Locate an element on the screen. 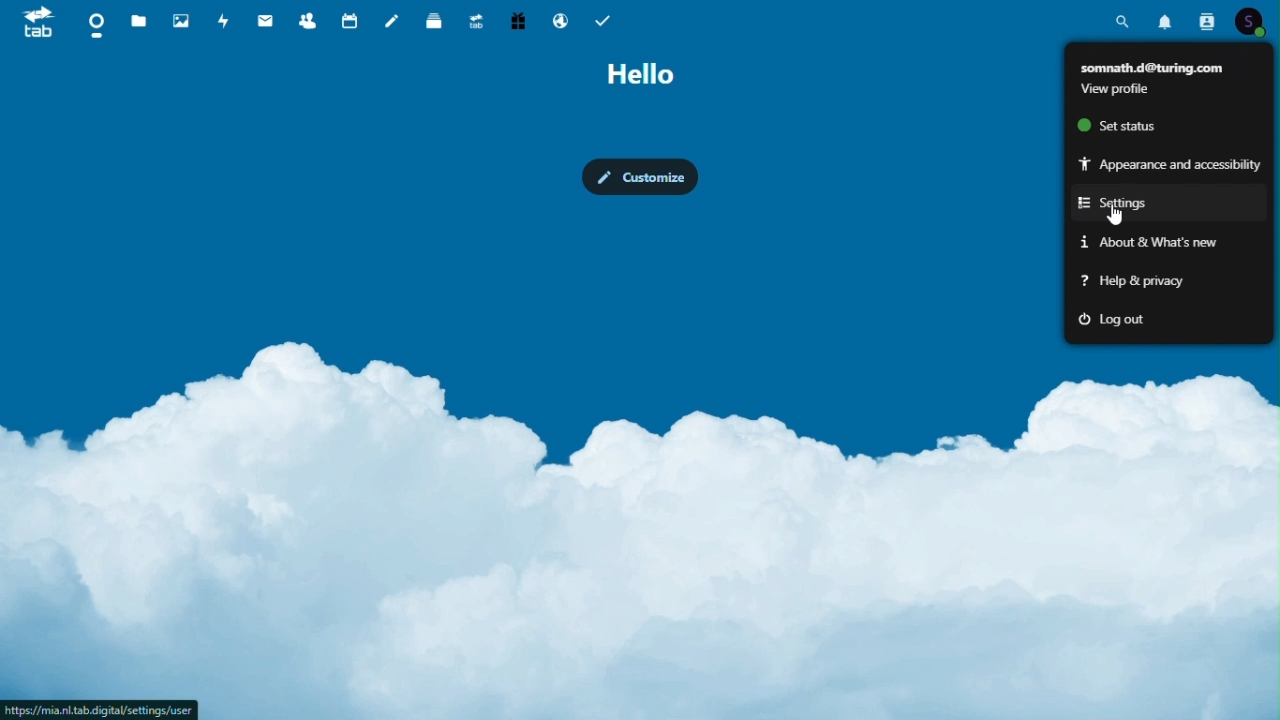 The width and height of the screenshot is (1280, 720). Upgrade is located at coordinates (476, 18).